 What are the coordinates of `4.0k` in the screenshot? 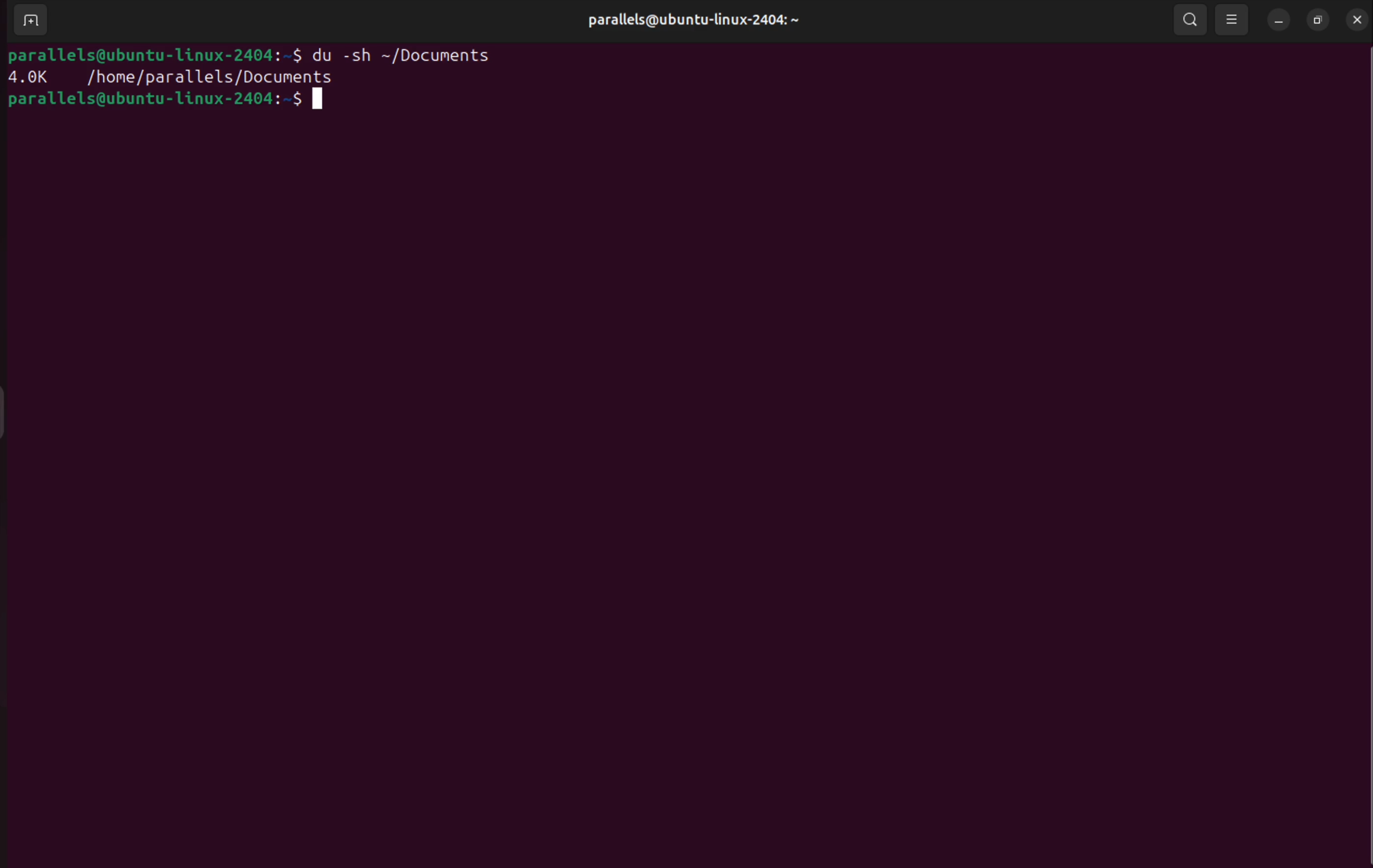 It's located at (34, 76).